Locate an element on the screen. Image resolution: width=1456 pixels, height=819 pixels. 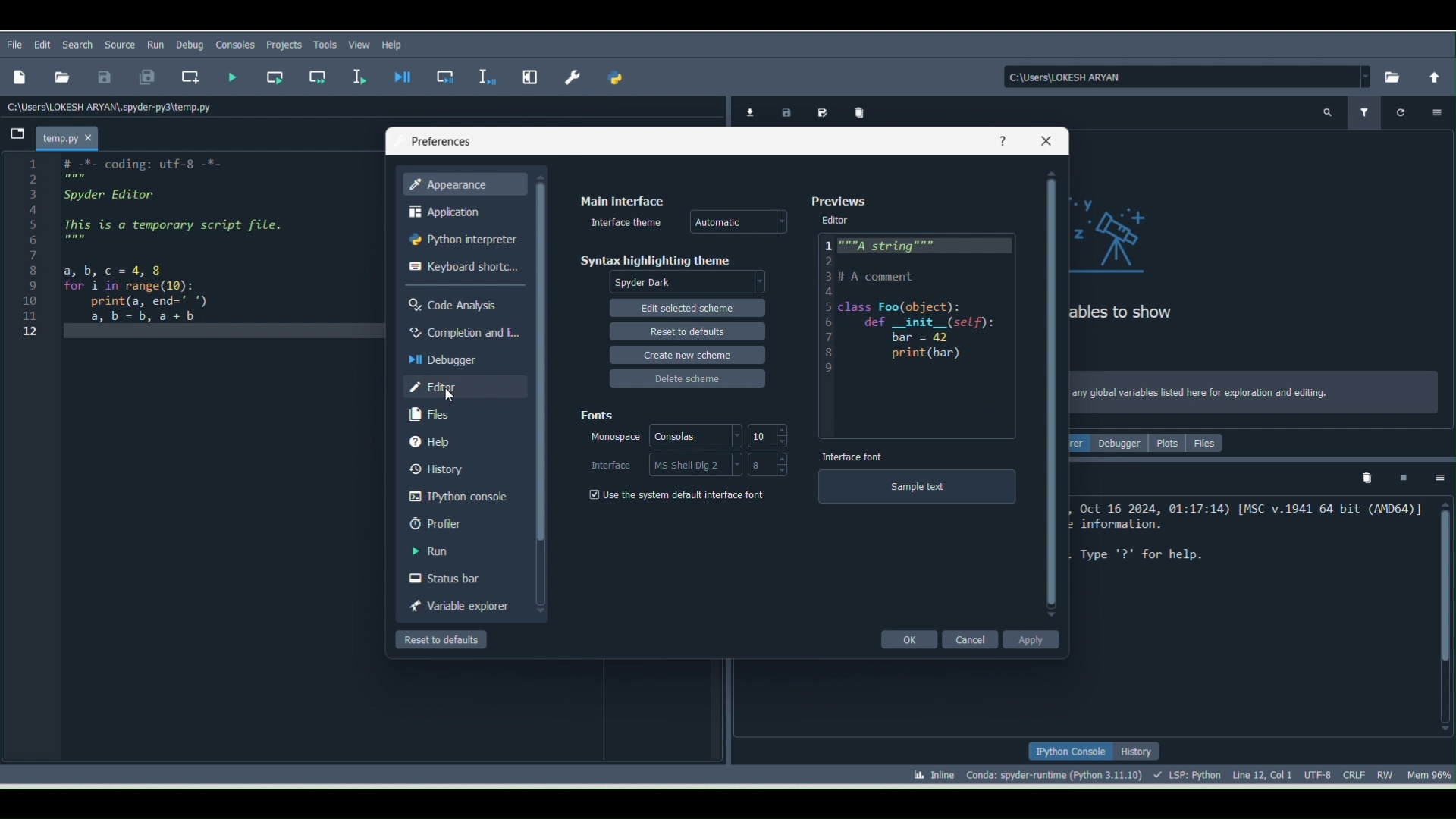
Files is located at coordinates (463, 414).